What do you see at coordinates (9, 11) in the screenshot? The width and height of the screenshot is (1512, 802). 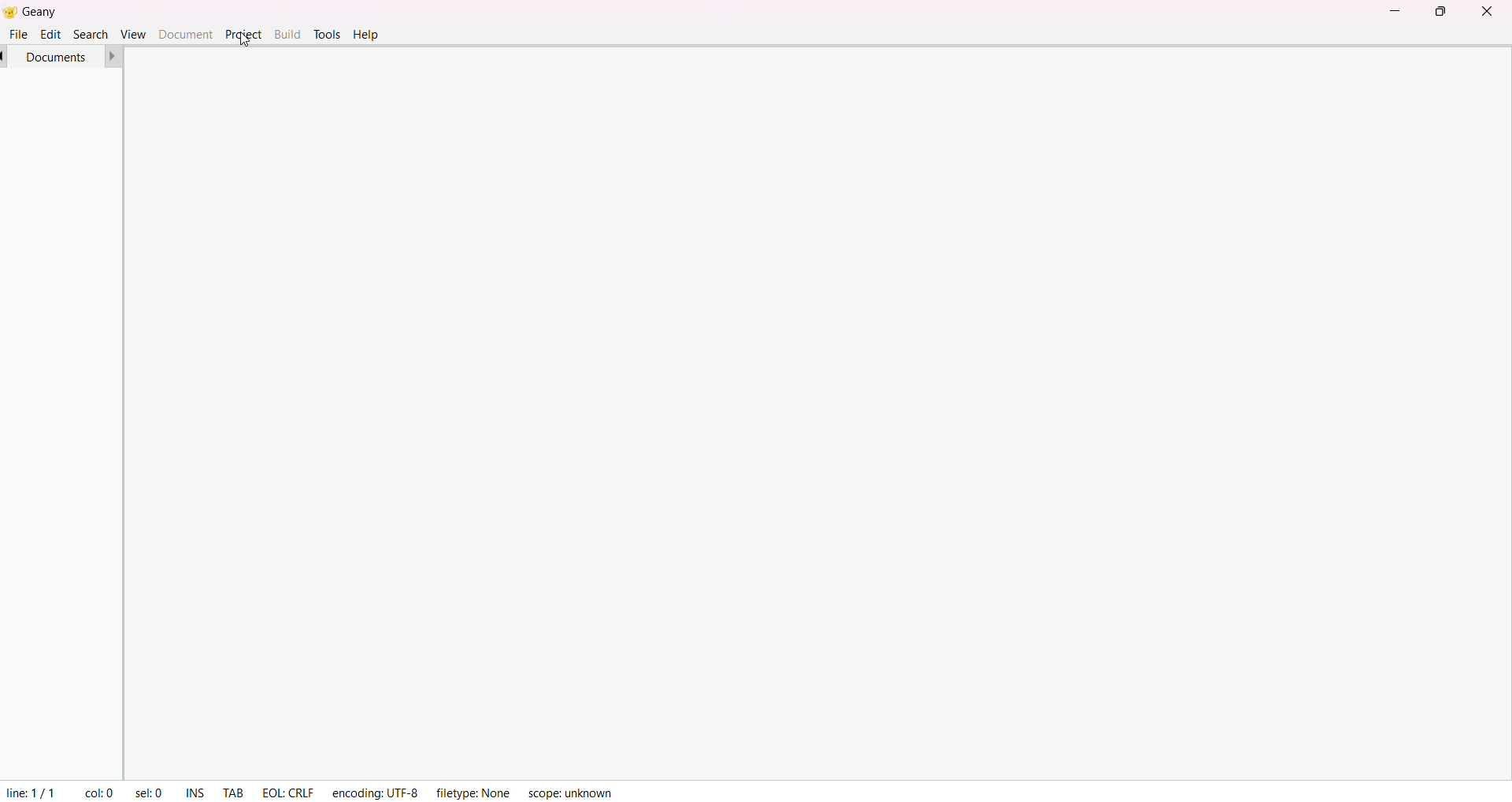 I see `Geany logo` at bounding box center [9, 11].